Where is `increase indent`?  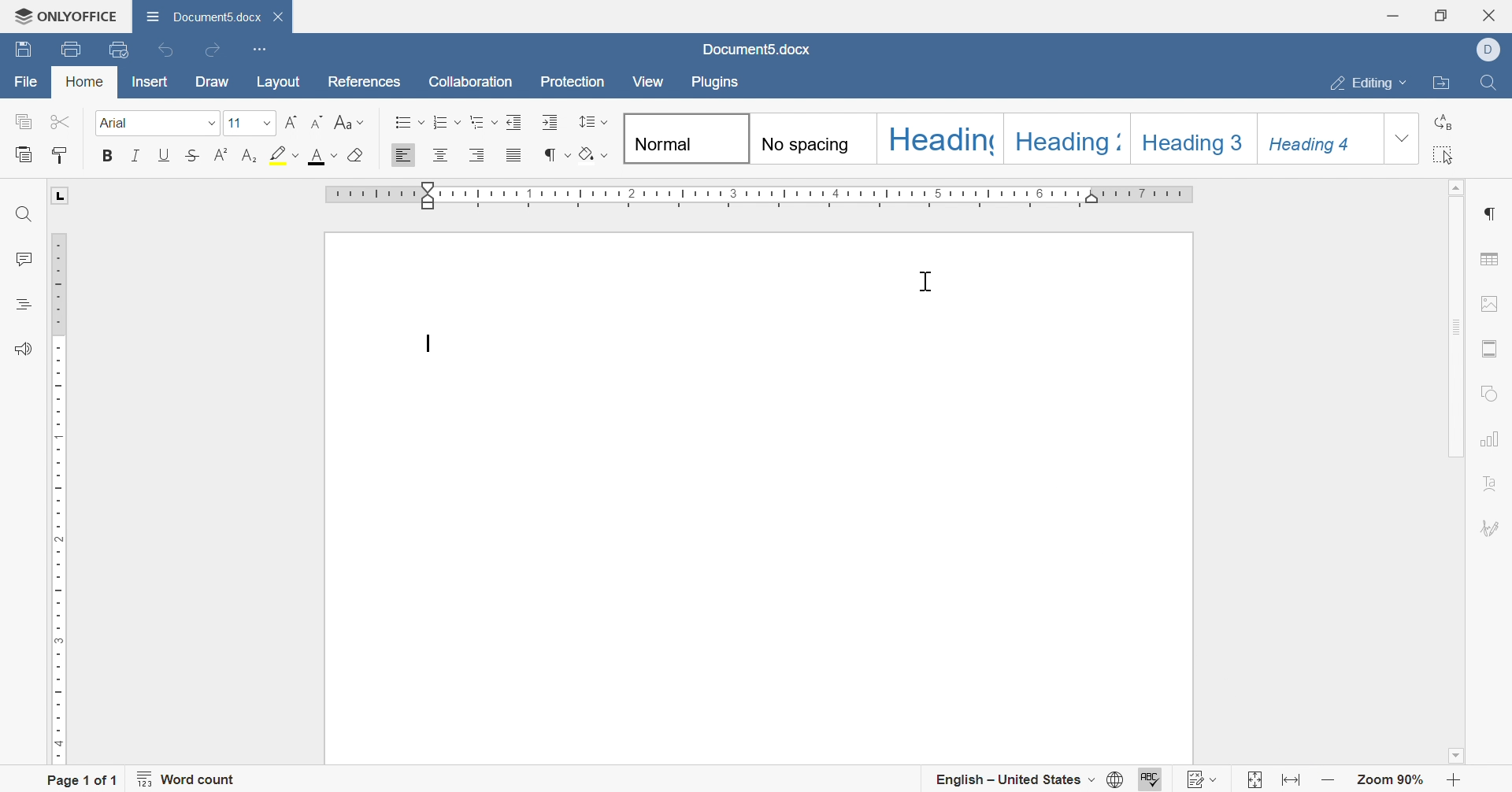
increase indent is located at coordinates (549, 121).